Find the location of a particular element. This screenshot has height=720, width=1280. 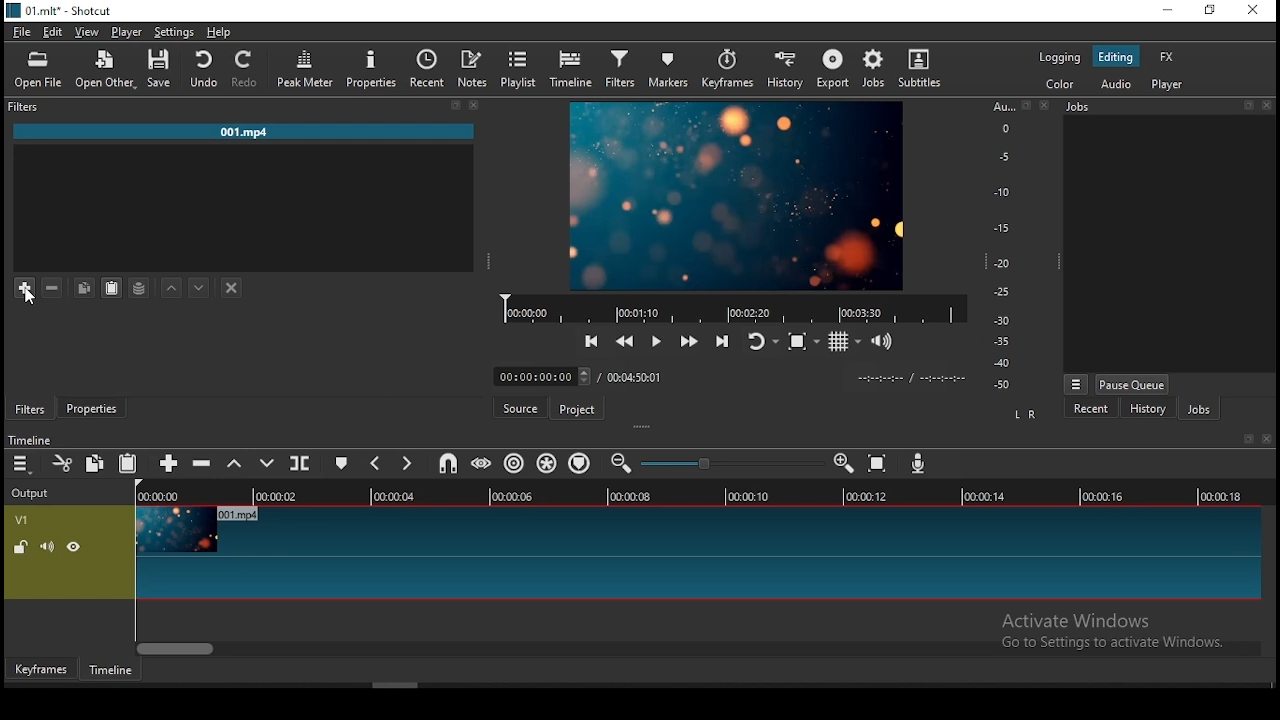

Menu is located at coordinates (1078, 385).